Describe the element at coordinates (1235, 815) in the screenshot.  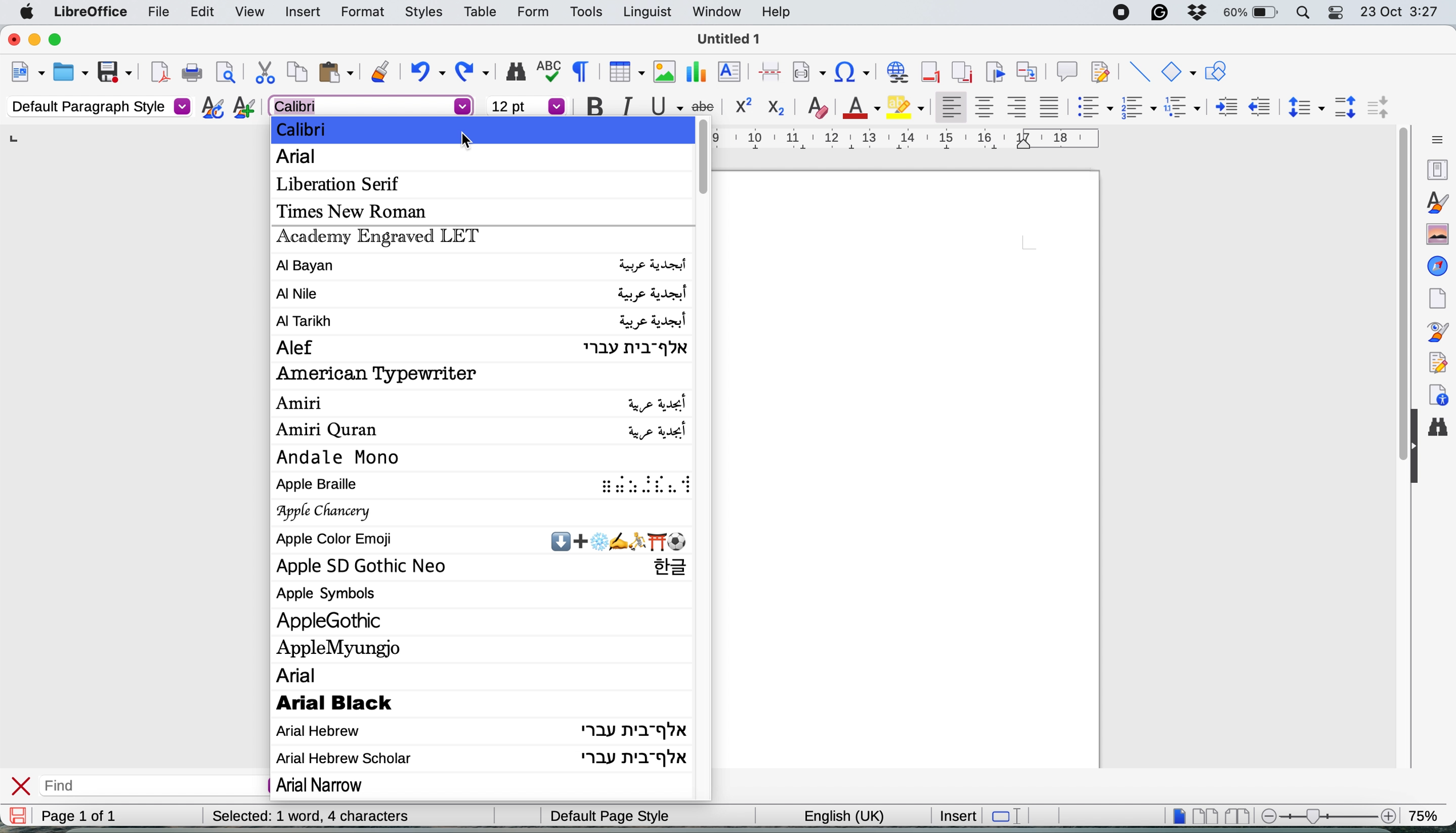
I see `book view` at that location.